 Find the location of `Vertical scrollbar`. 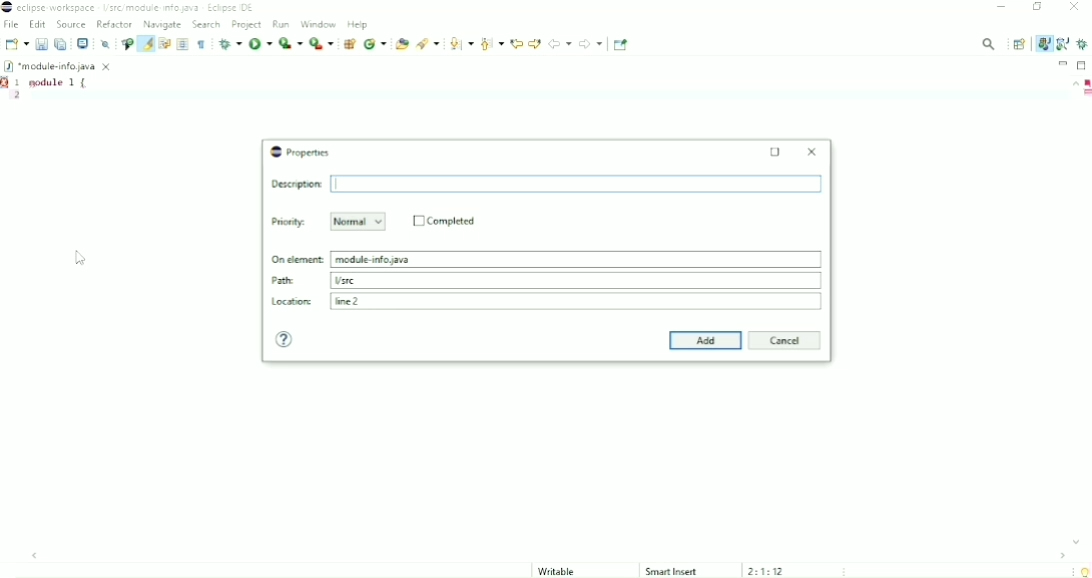

Vertical scrollbar is located at coordinates (1070, 313).